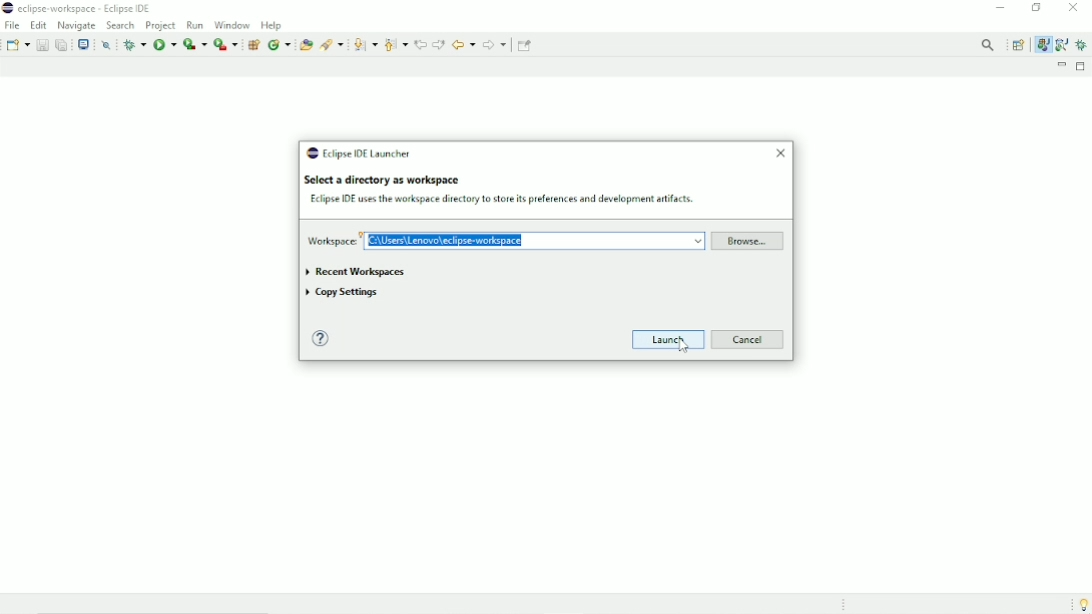  I want to click on eclipse workspace - Eclipse IDE, so click(91, 9).